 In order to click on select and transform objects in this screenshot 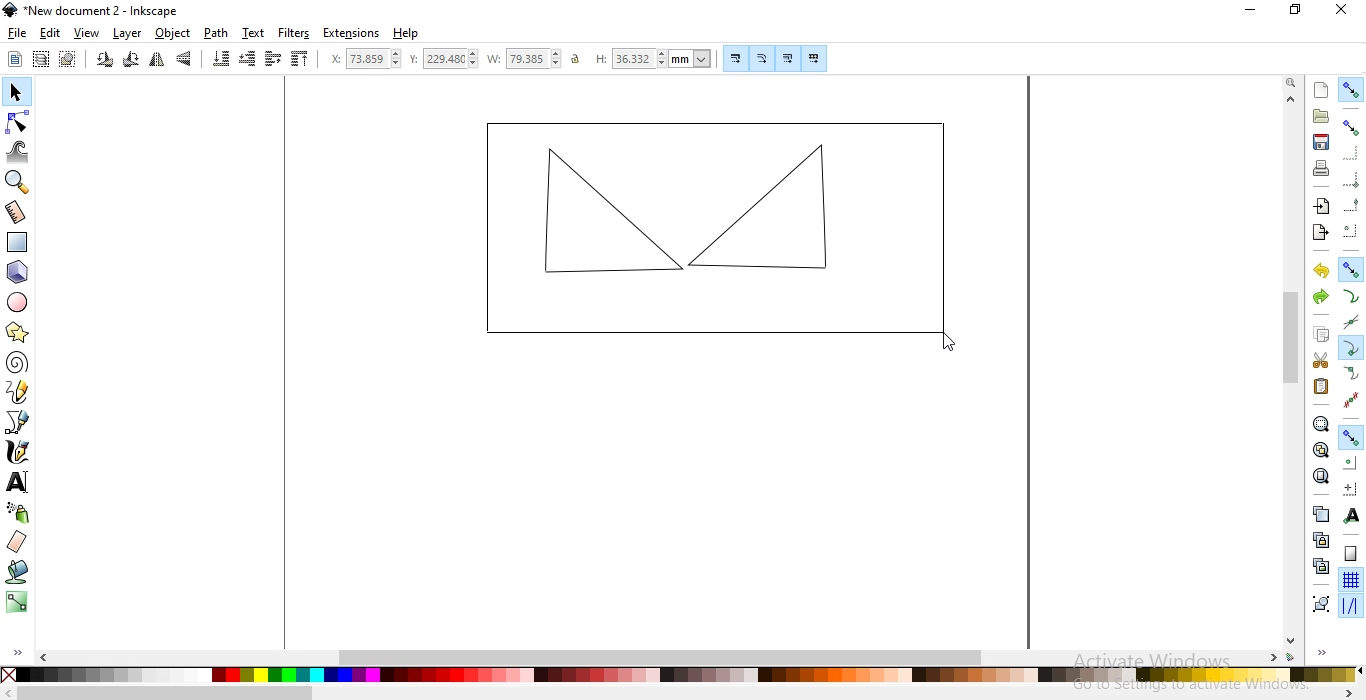, I will do `click(15, 92)`.